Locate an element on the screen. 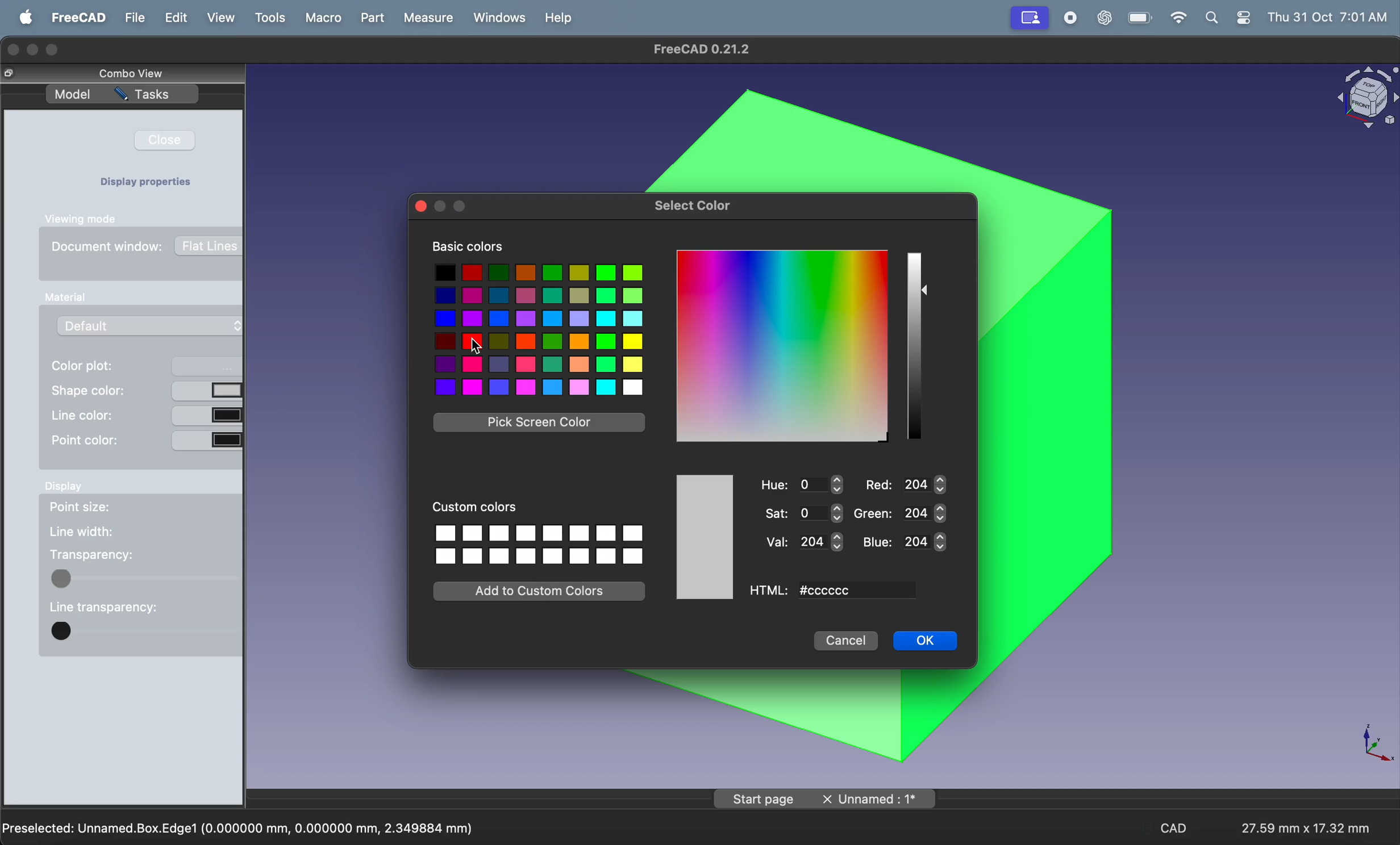 The image size is (1400, 845). minimize is located at coordinates (35, 49).